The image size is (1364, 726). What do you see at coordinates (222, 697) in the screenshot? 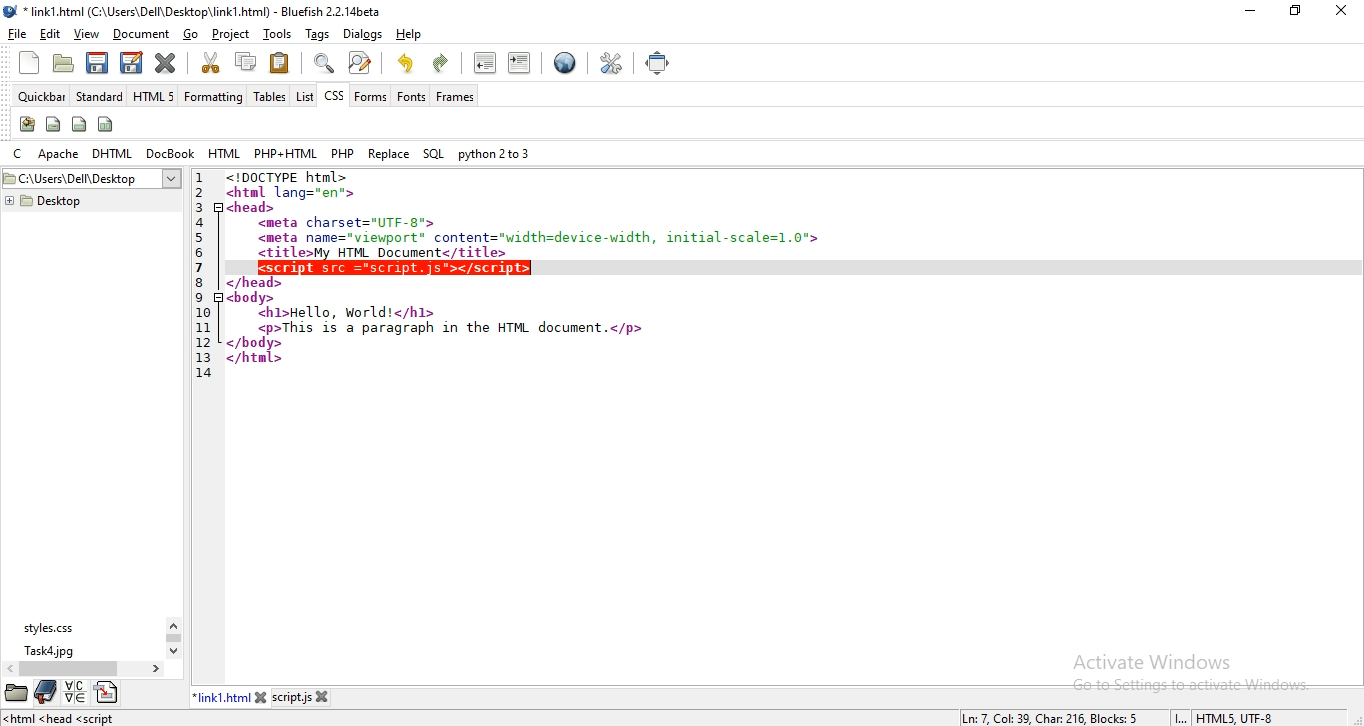
I see `link1` at bounding box center [222, 697].